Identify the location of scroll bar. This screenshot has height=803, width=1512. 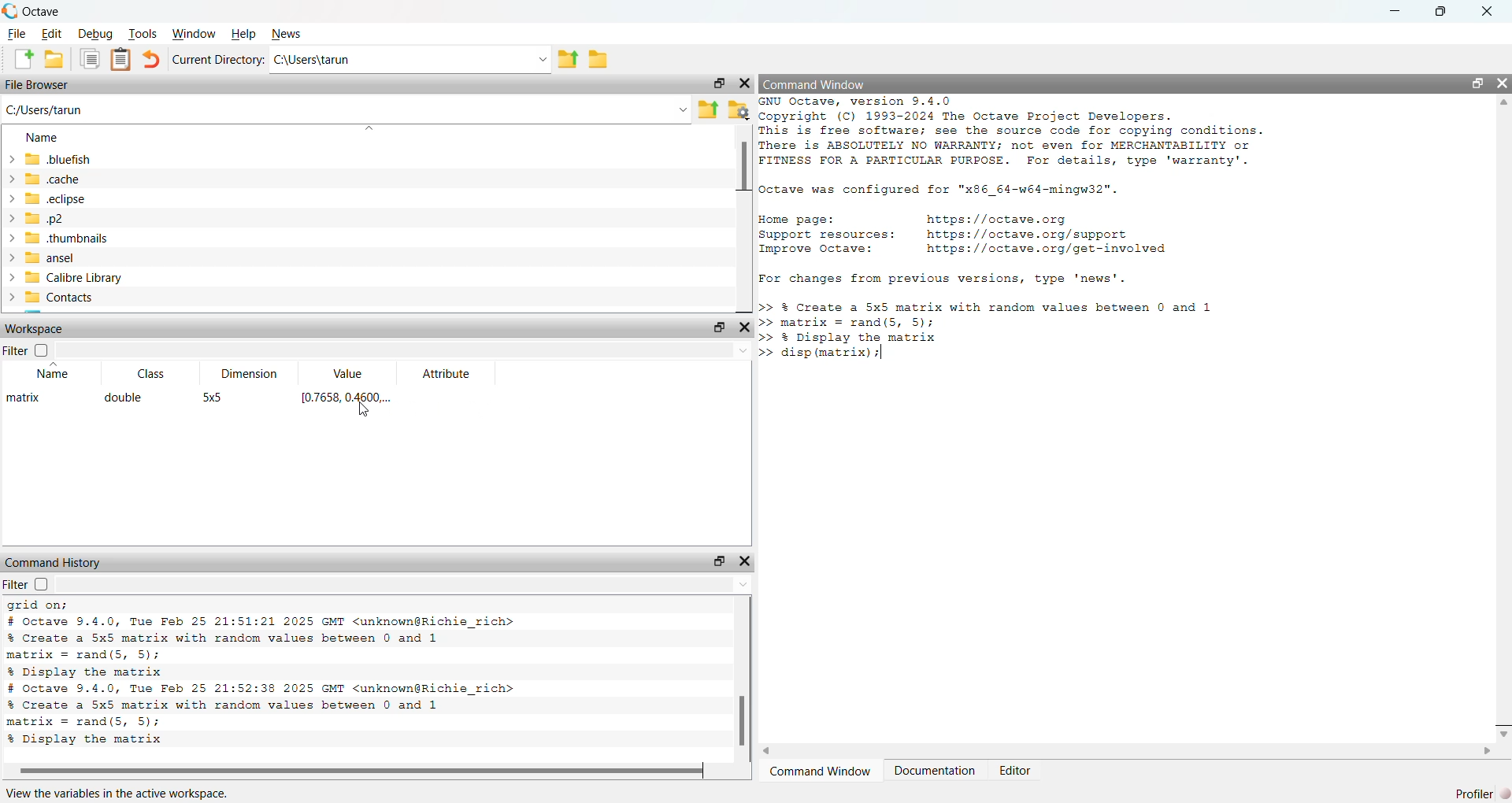
(361, 770).